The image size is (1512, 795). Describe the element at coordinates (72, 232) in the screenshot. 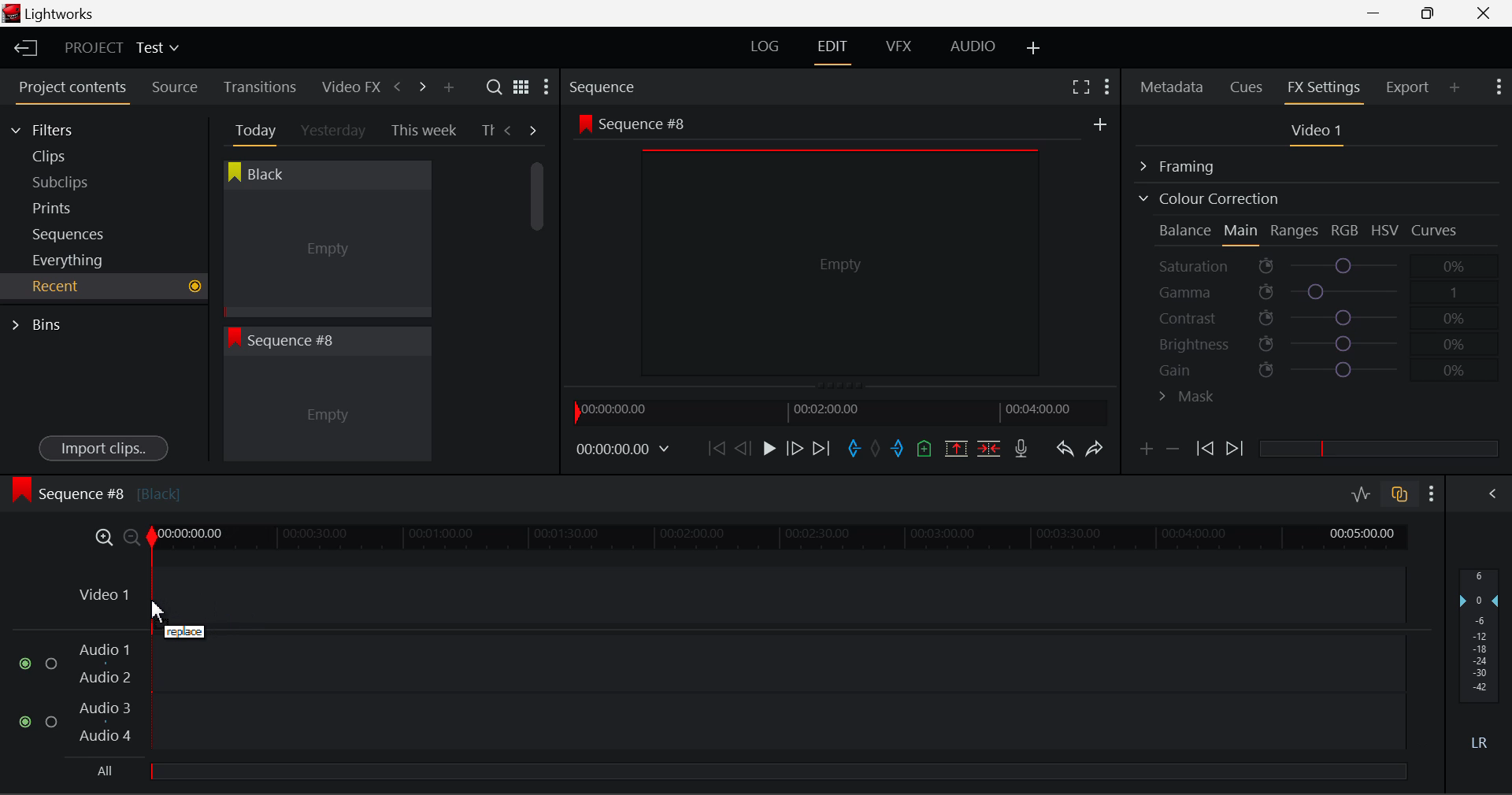

I see `Sequences` at that location.